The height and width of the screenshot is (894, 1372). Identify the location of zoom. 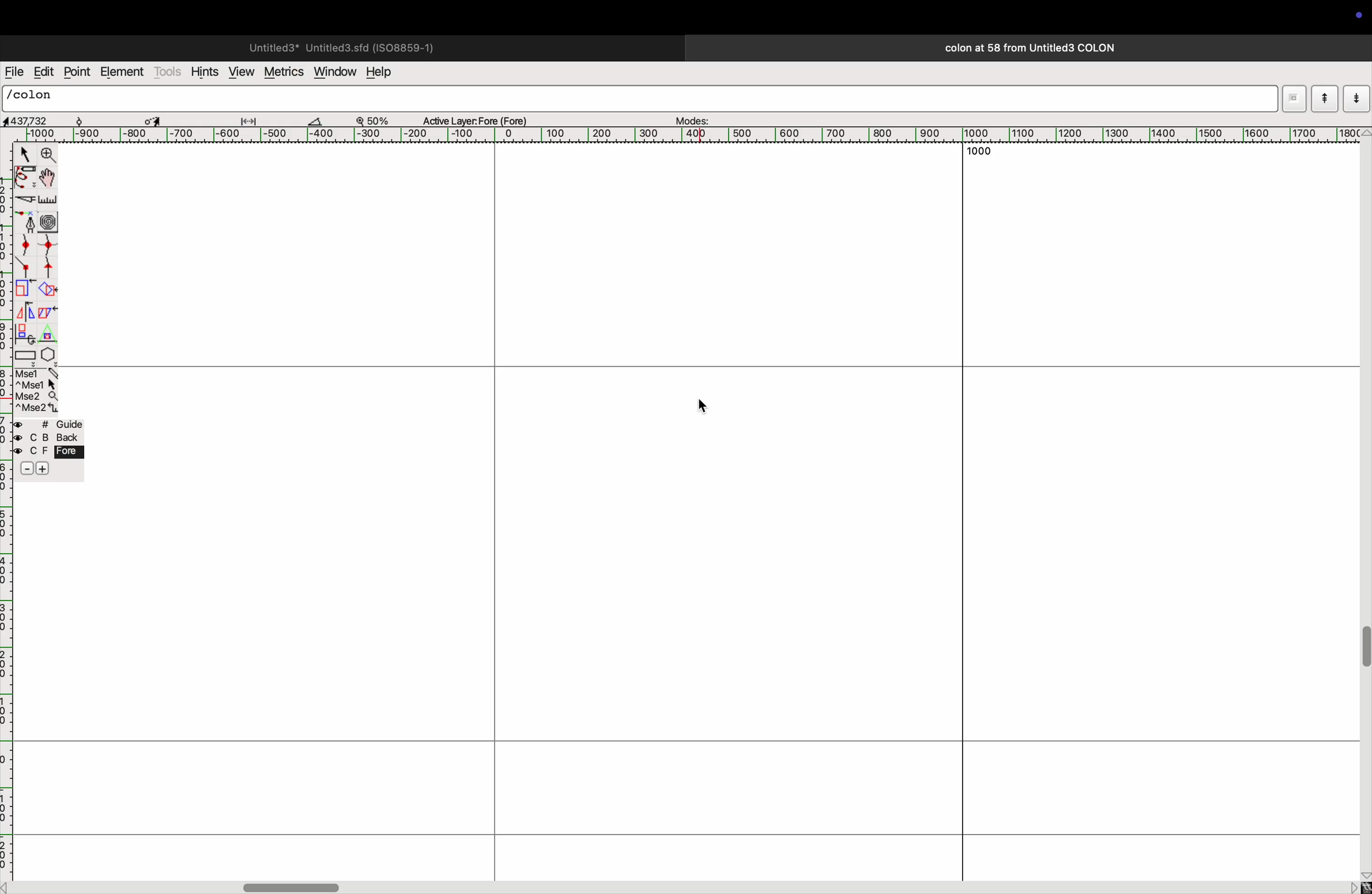
(378, 119).